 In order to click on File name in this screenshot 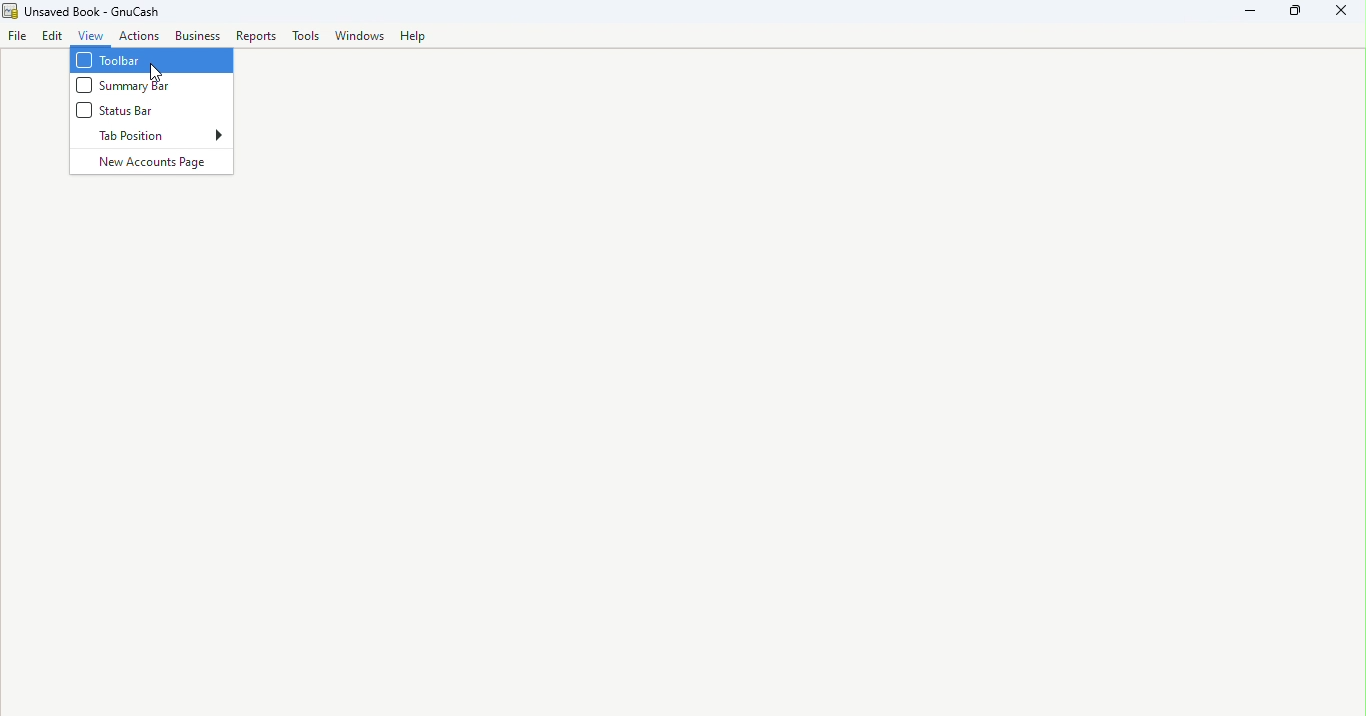, I will do `click(83, 11)`.